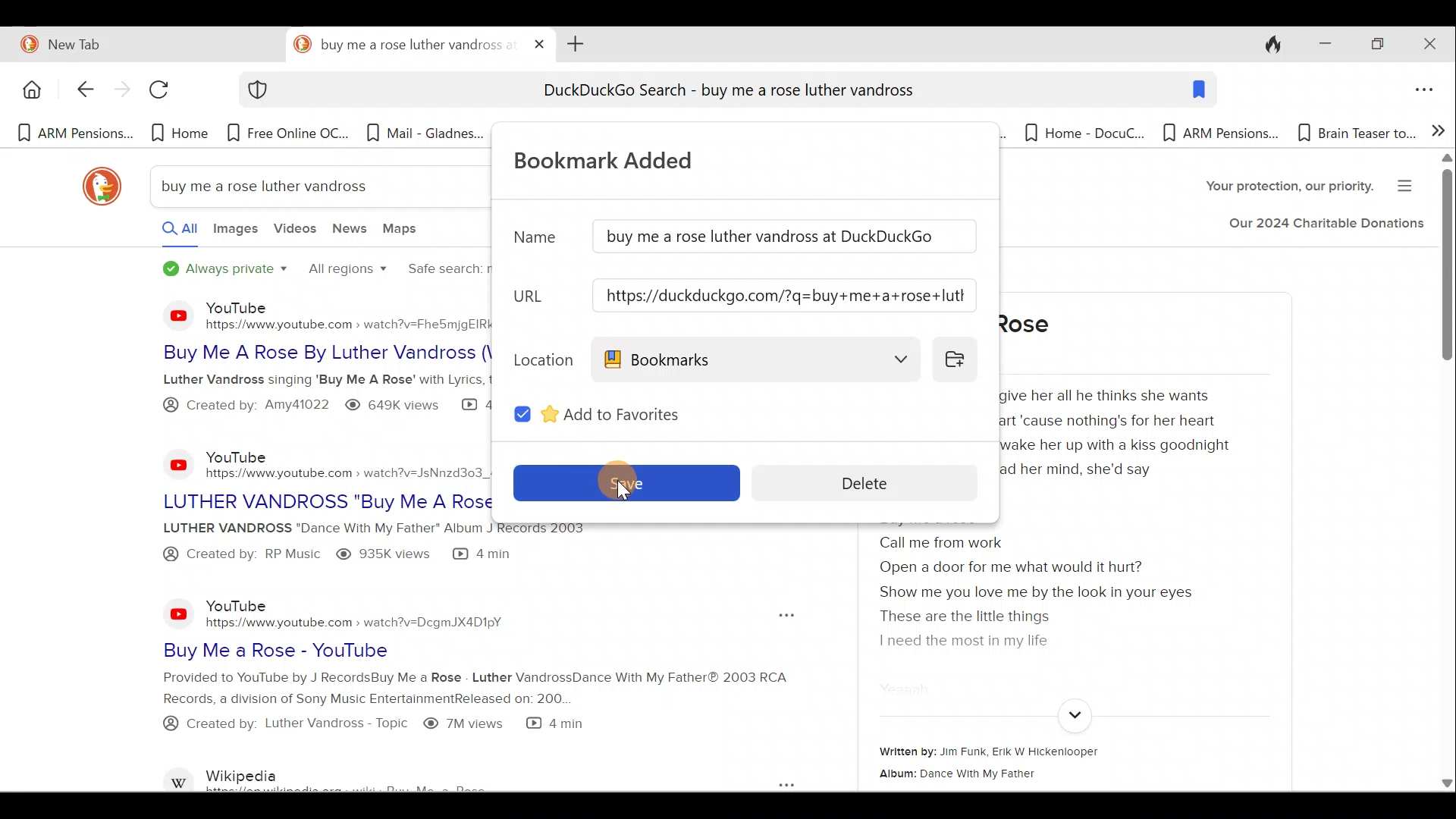 Image resolution: width=1456 pixels, height=819 pixels. I want to click on buy me a rose luther vandross, so click(275, 186).